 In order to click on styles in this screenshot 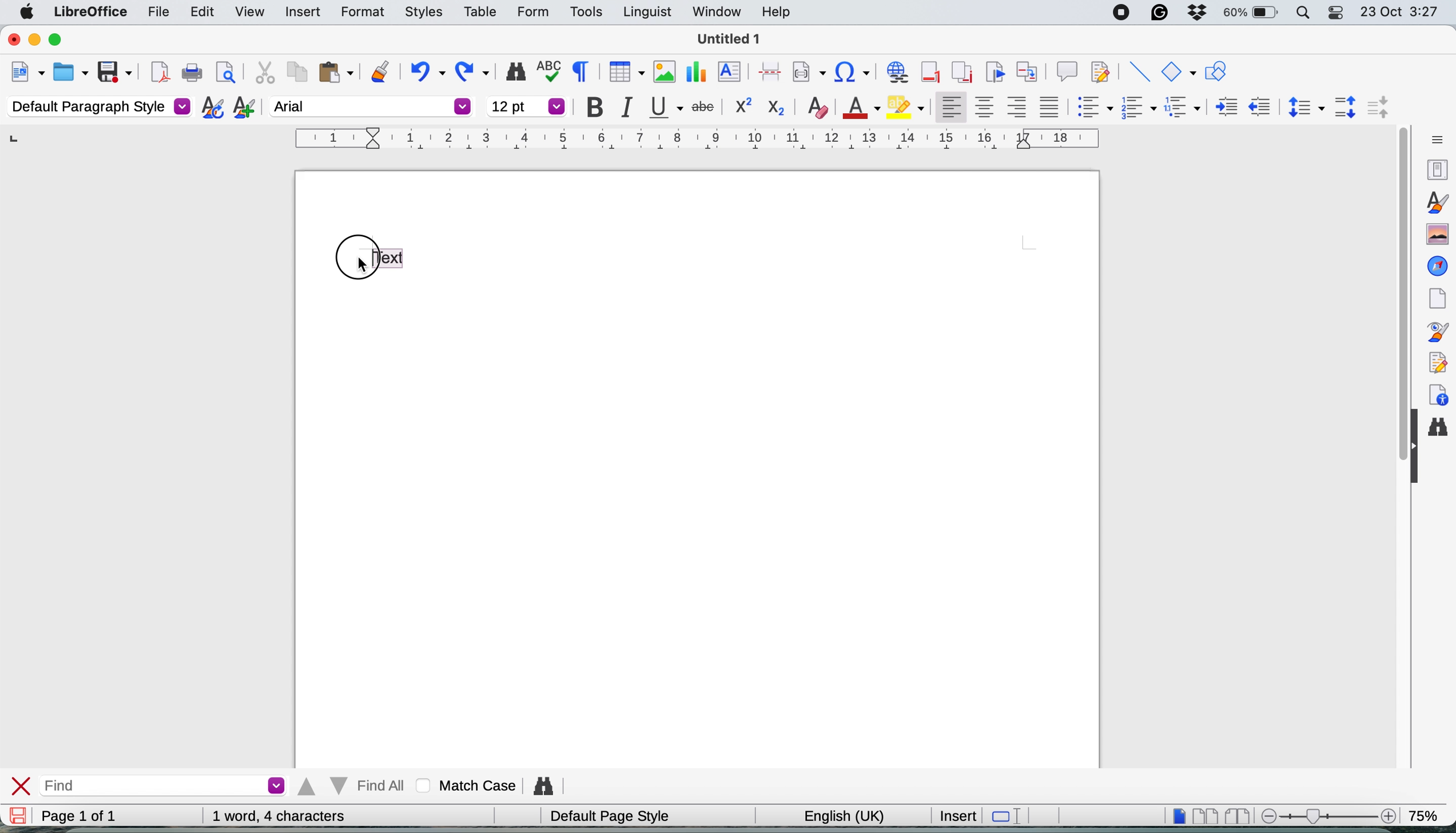, I will do `click(1436, 201)`.